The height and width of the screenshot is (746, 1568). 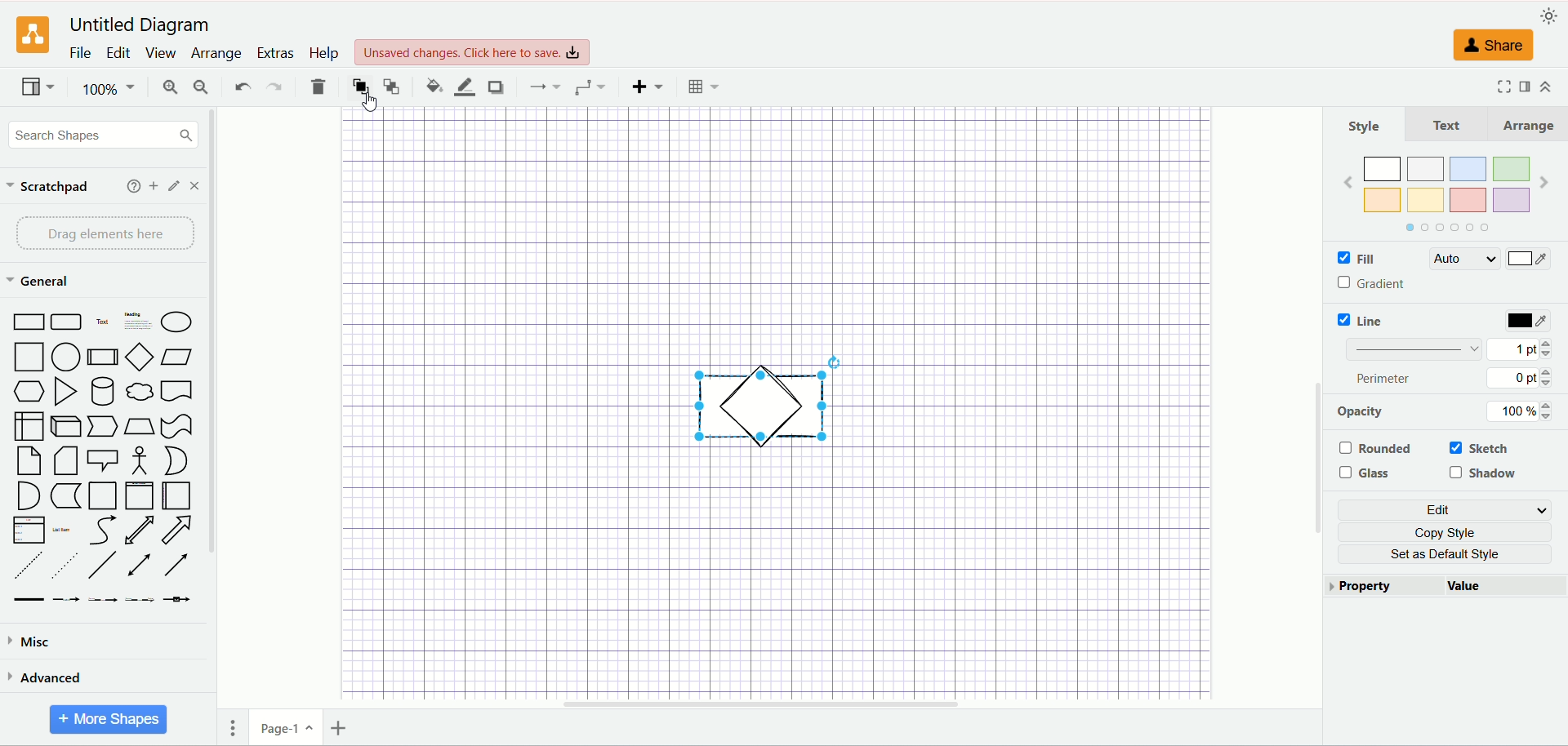 What do you see at coordinates (28, 355) in the screenshot?
I see `Square` at bounding box center [28, 355].